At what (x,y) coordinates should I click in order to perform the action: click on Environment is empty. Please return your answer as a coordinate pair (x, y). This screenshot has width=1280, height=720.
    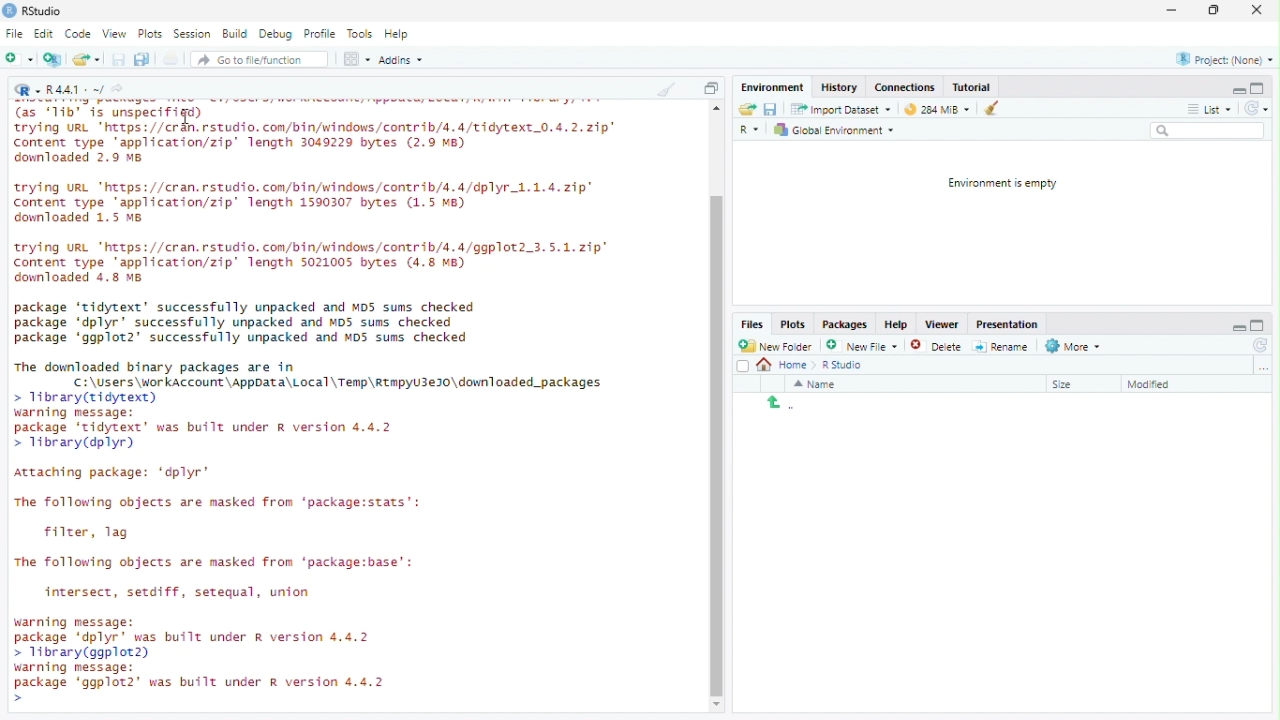
    Looking at the image, I should click on (997, 184).